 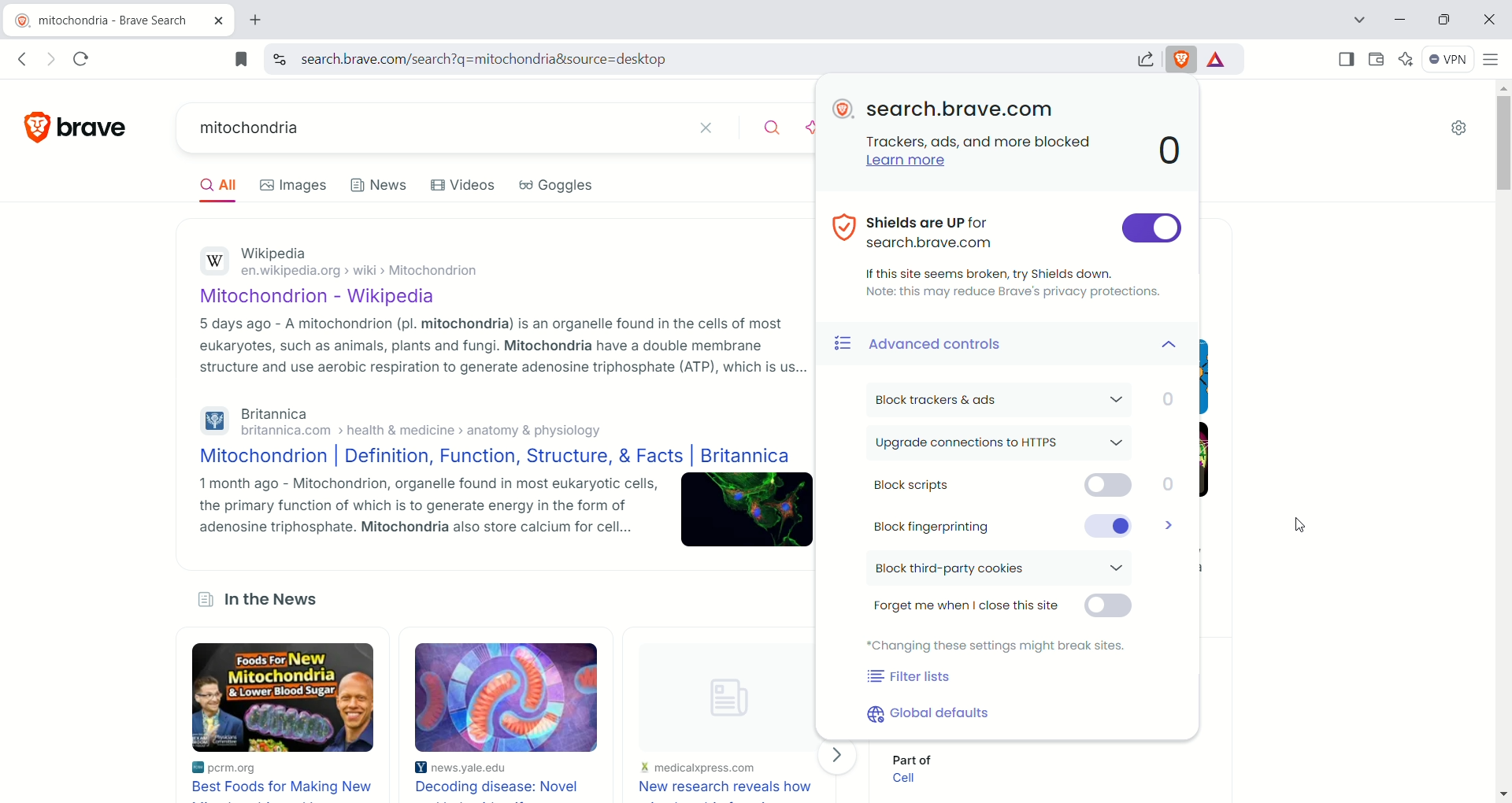 What do you see at coordinates (89, 129) in the screenshot?
I see `brave` at bounding box center [89, 129].